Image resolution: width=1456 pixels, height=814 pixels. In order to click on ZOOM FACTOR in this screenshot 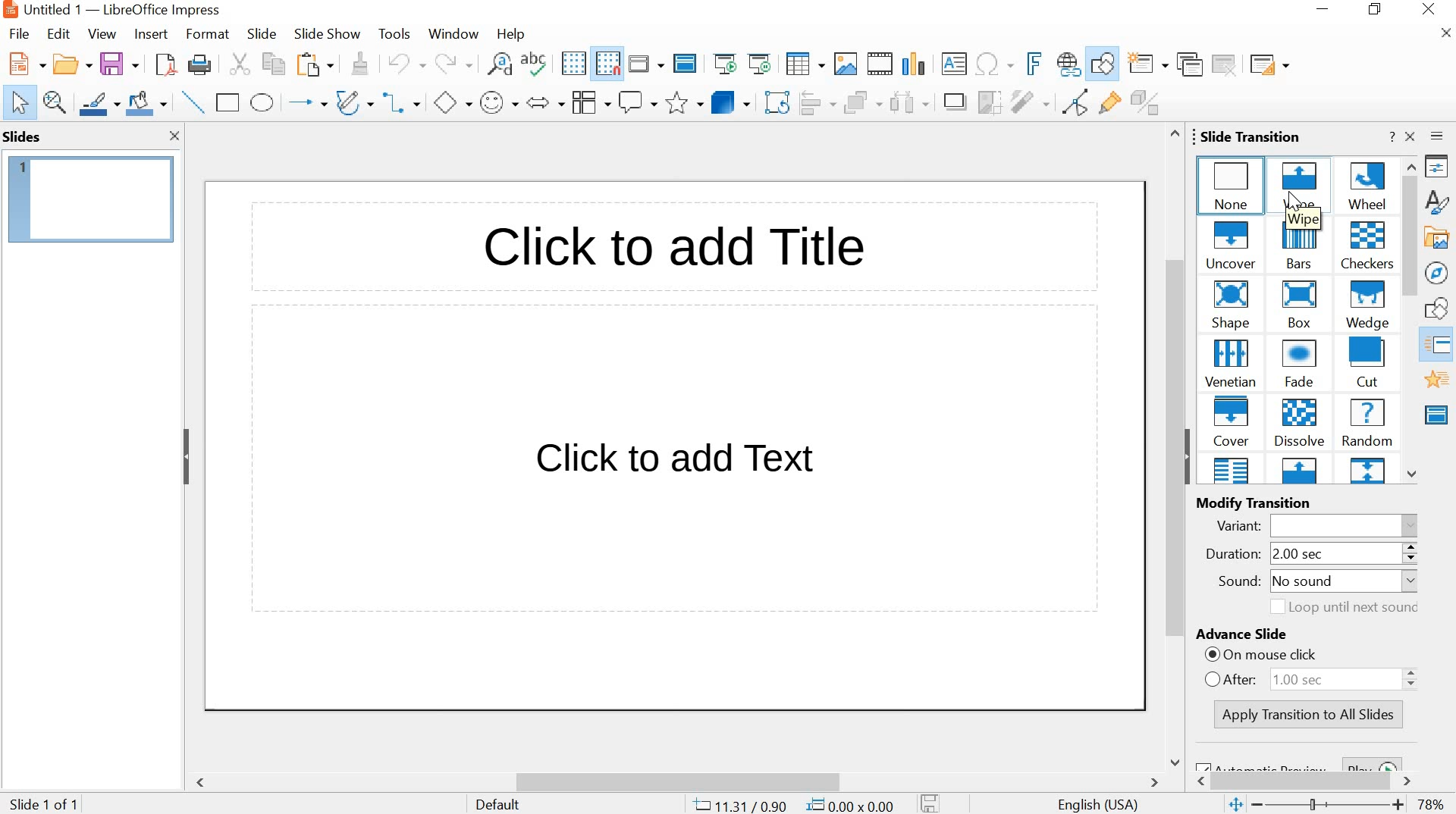, I will do `click(1432, 806)`.